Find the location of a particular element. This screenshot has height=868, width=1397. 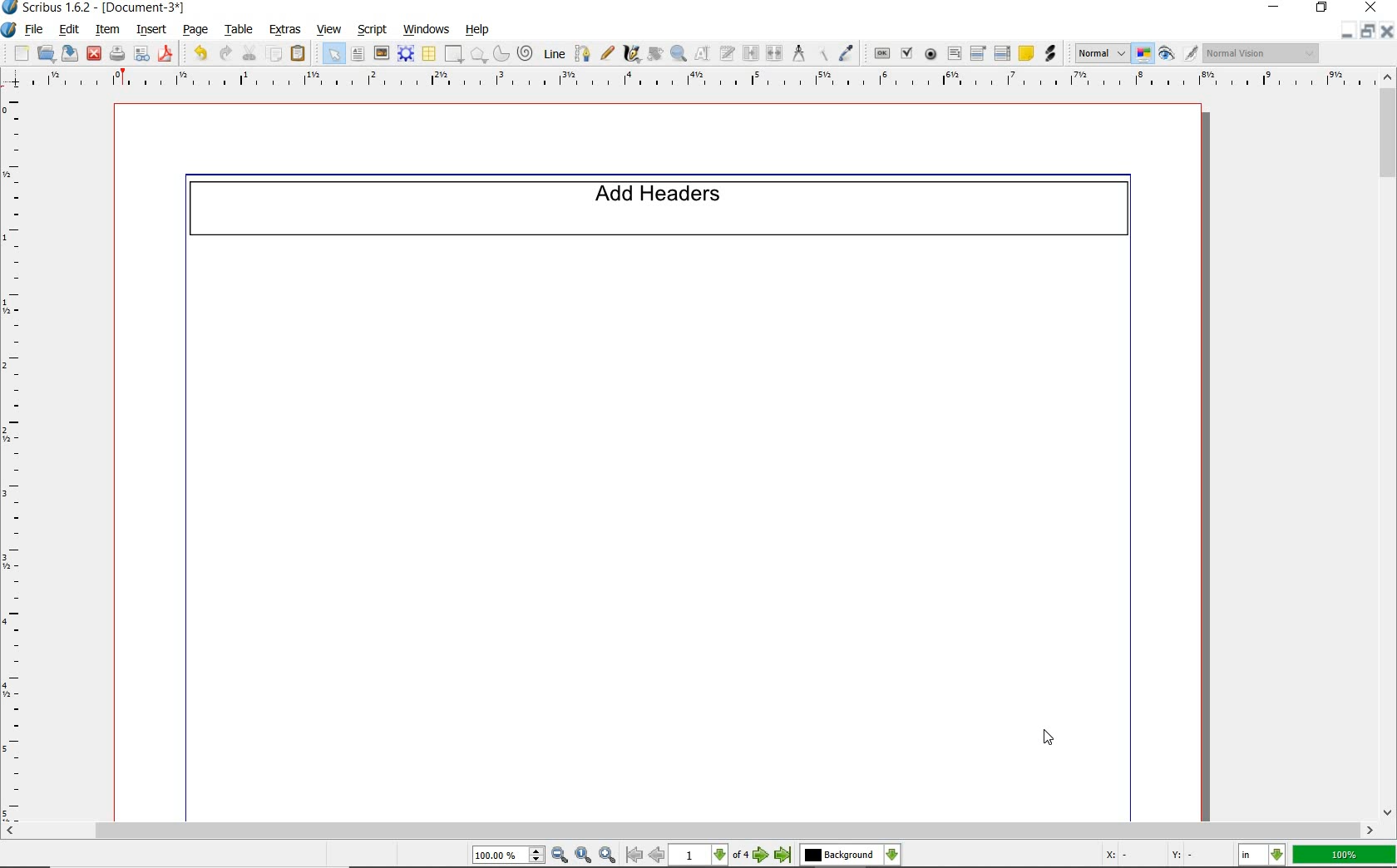

windows is located at coordinates (427, 28).